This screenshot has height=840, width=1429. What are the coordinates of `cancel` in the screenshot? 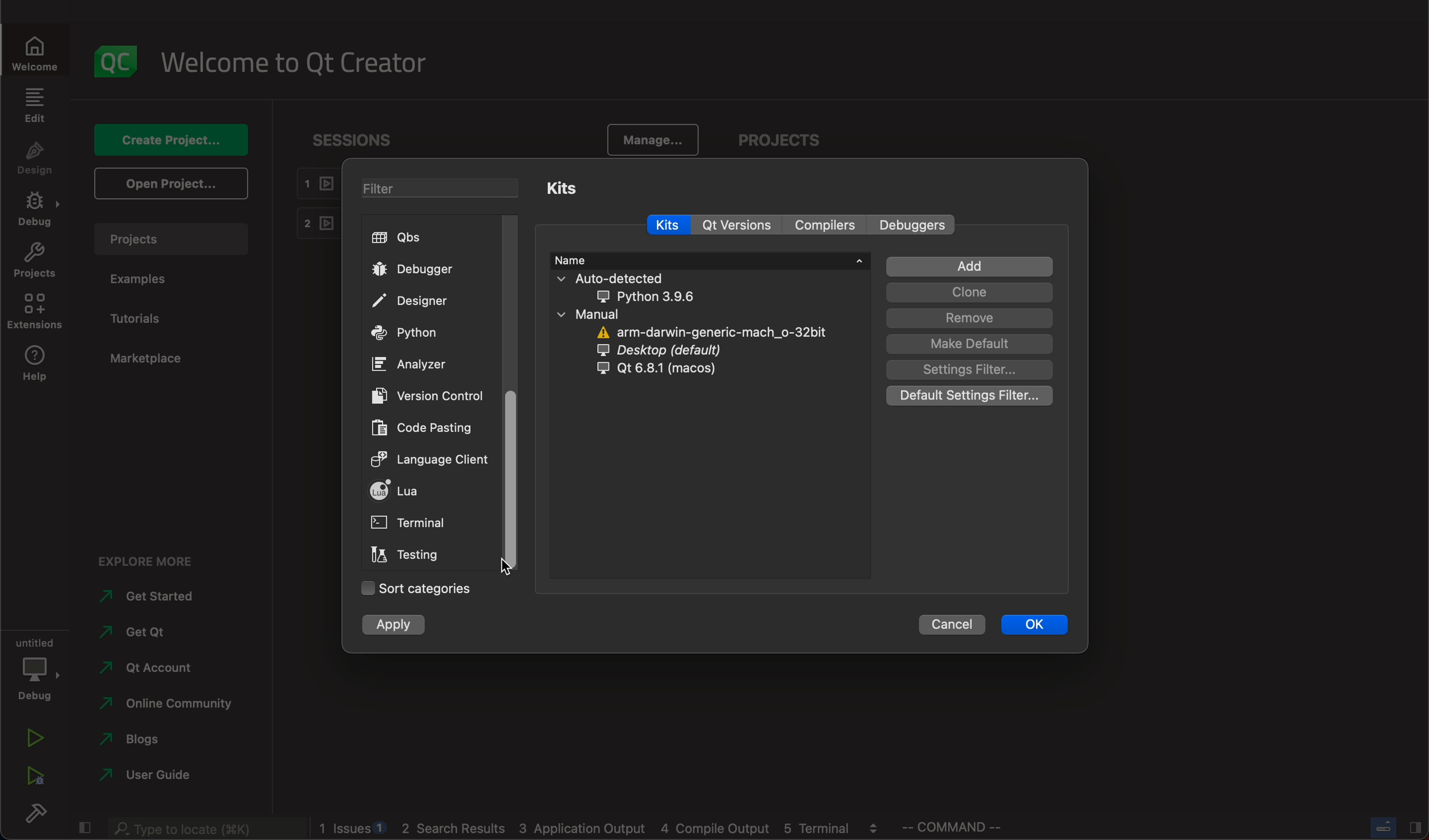 It's located at (952, 624).